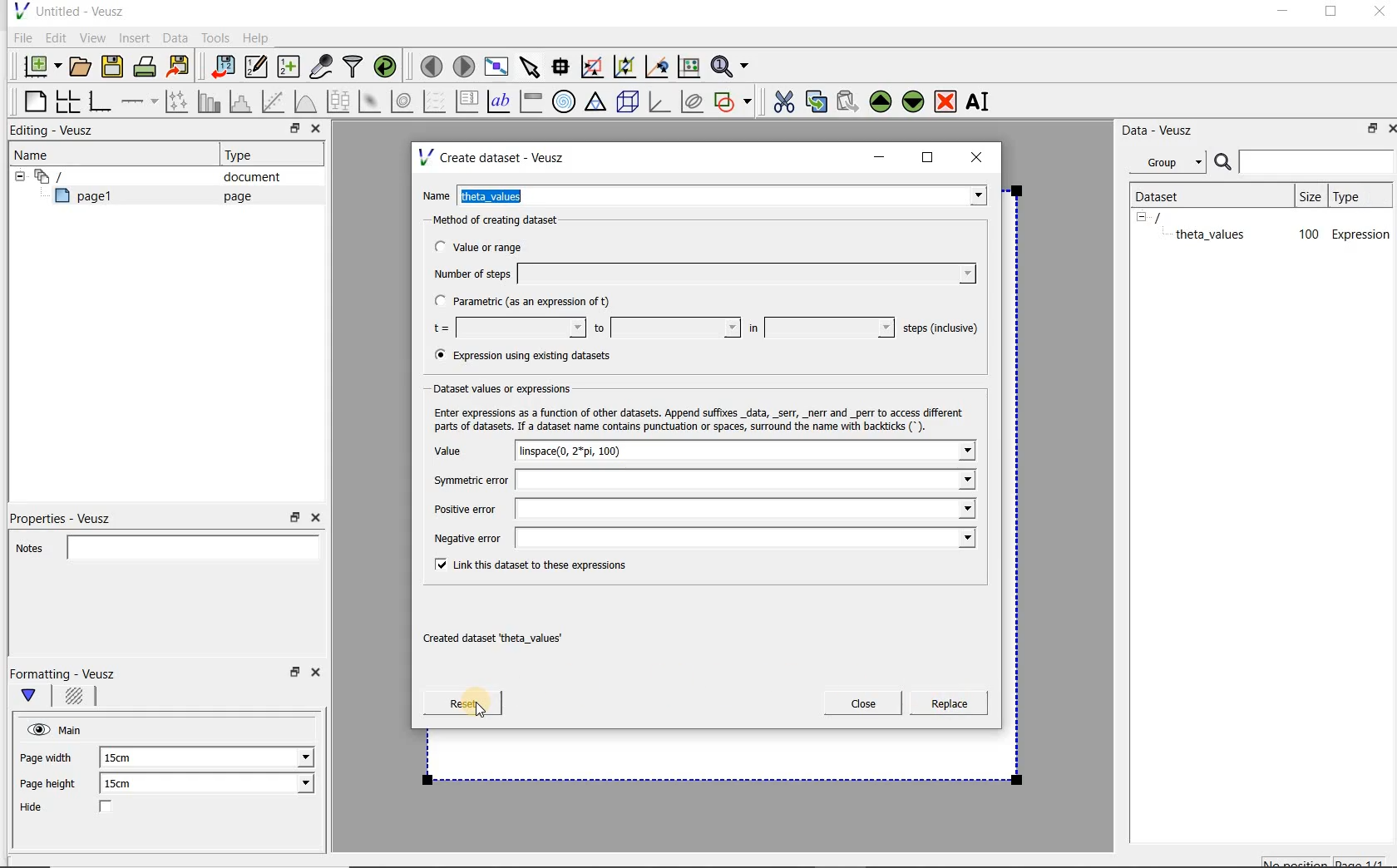 This screenshot has height=868, width=1397. What do you see at coordinates (468, 101) in the screenshot?
I see `plot key` at bounding box center [468, 101].